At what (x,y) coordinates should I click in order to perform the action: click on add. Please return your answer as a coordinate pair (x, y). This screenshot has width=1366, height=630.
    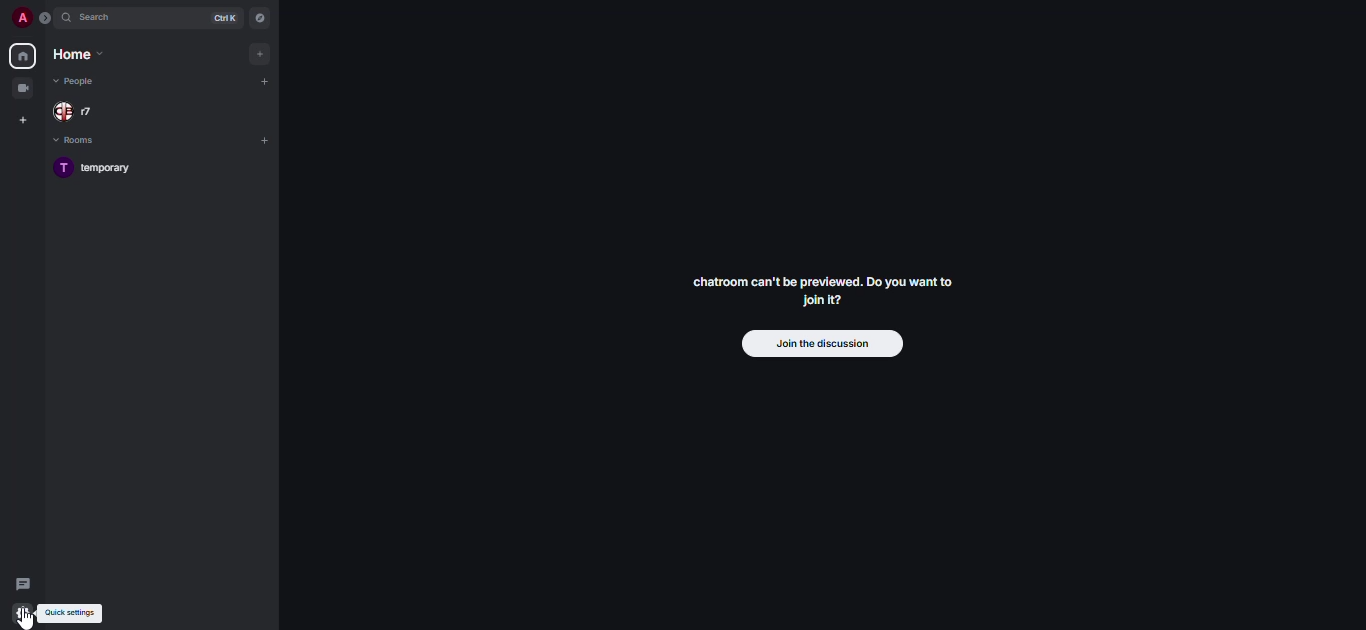
    Looking at the image, I should click on (260, 55).